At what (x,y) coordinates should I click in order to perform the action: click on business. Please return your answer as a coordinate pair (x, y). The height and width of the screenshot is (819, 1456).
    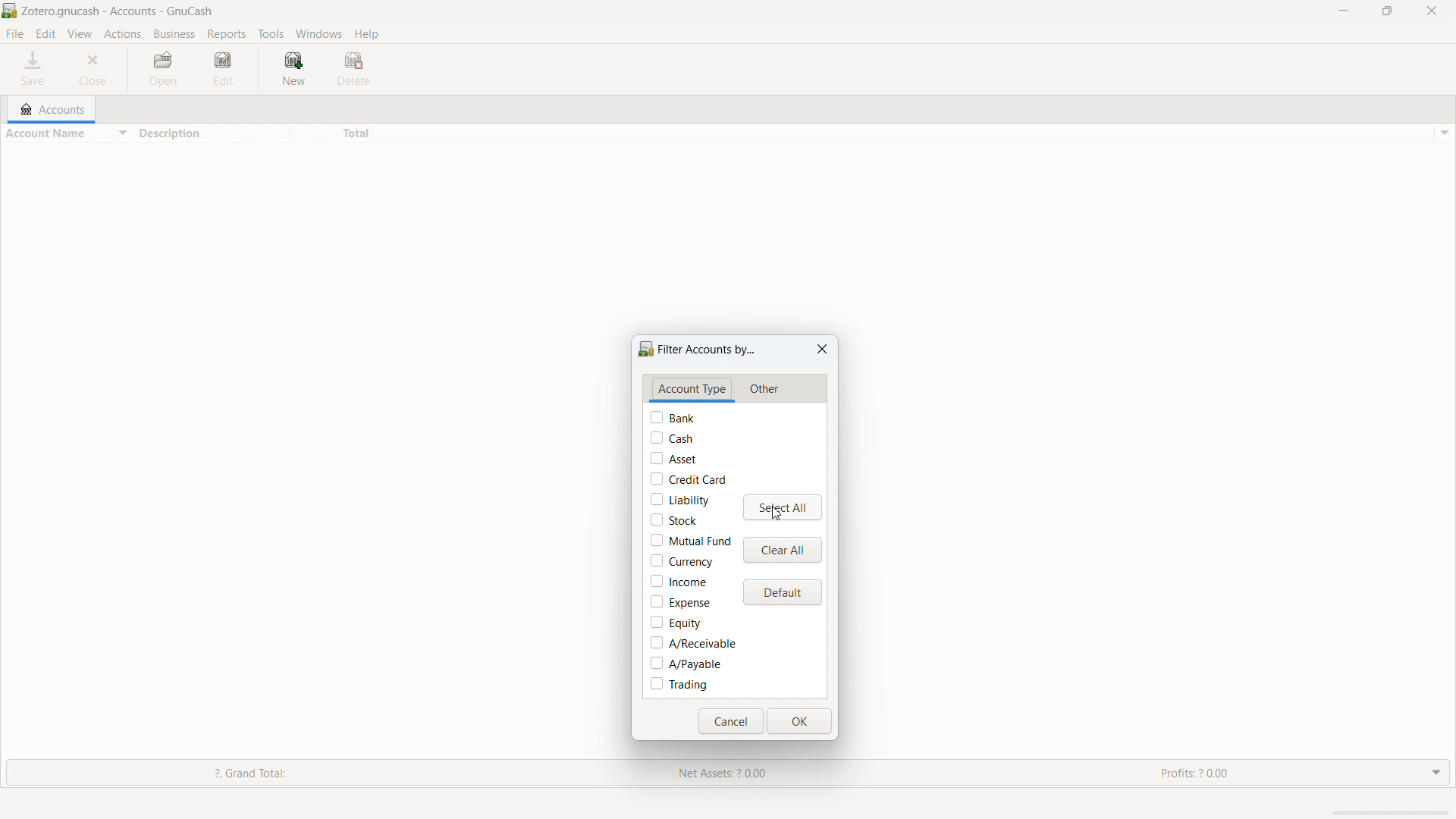
    Looking at the image, I should click on (174, 34).